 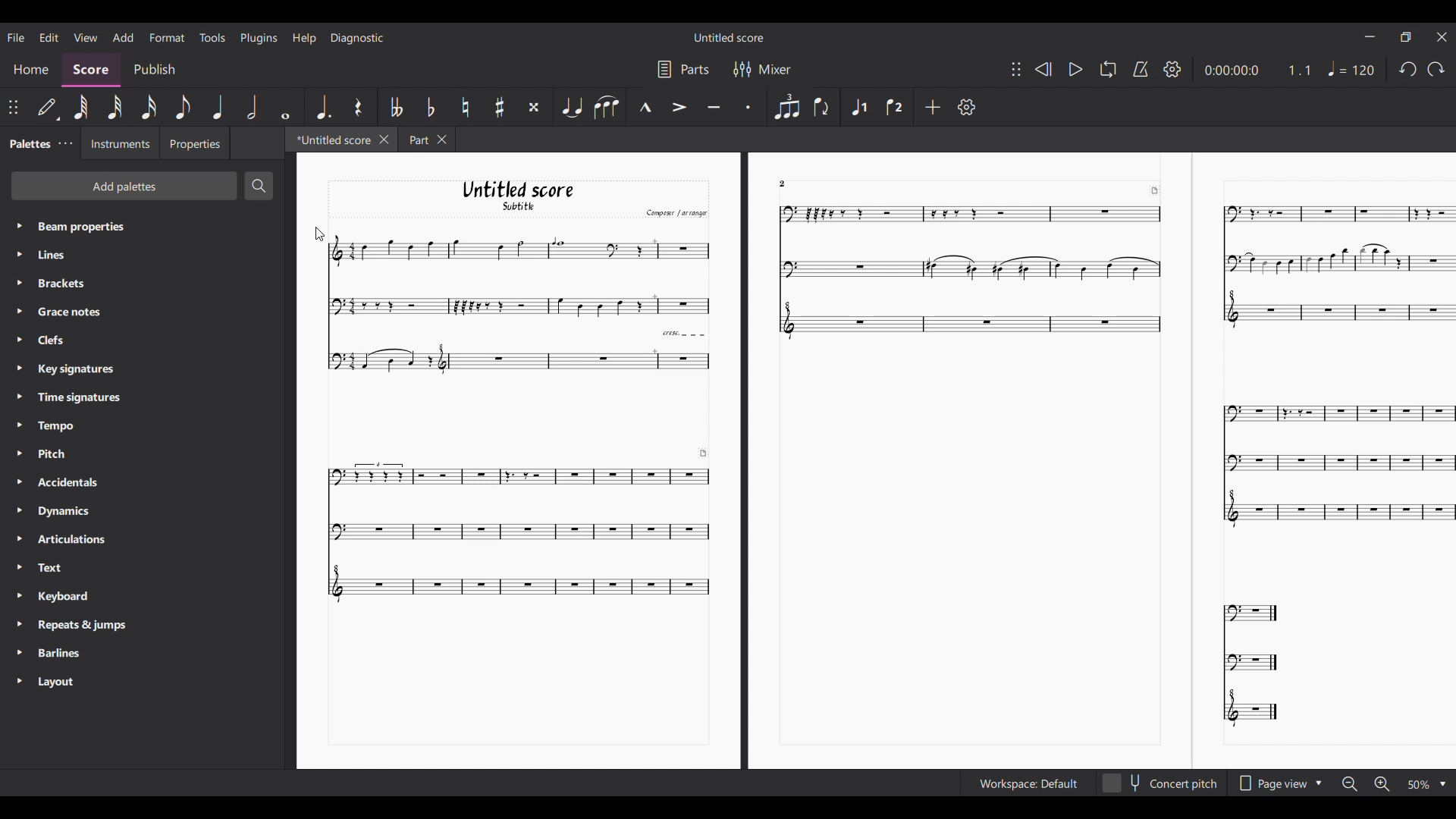 I want to click on Pitch, so click(x=63, y=453).